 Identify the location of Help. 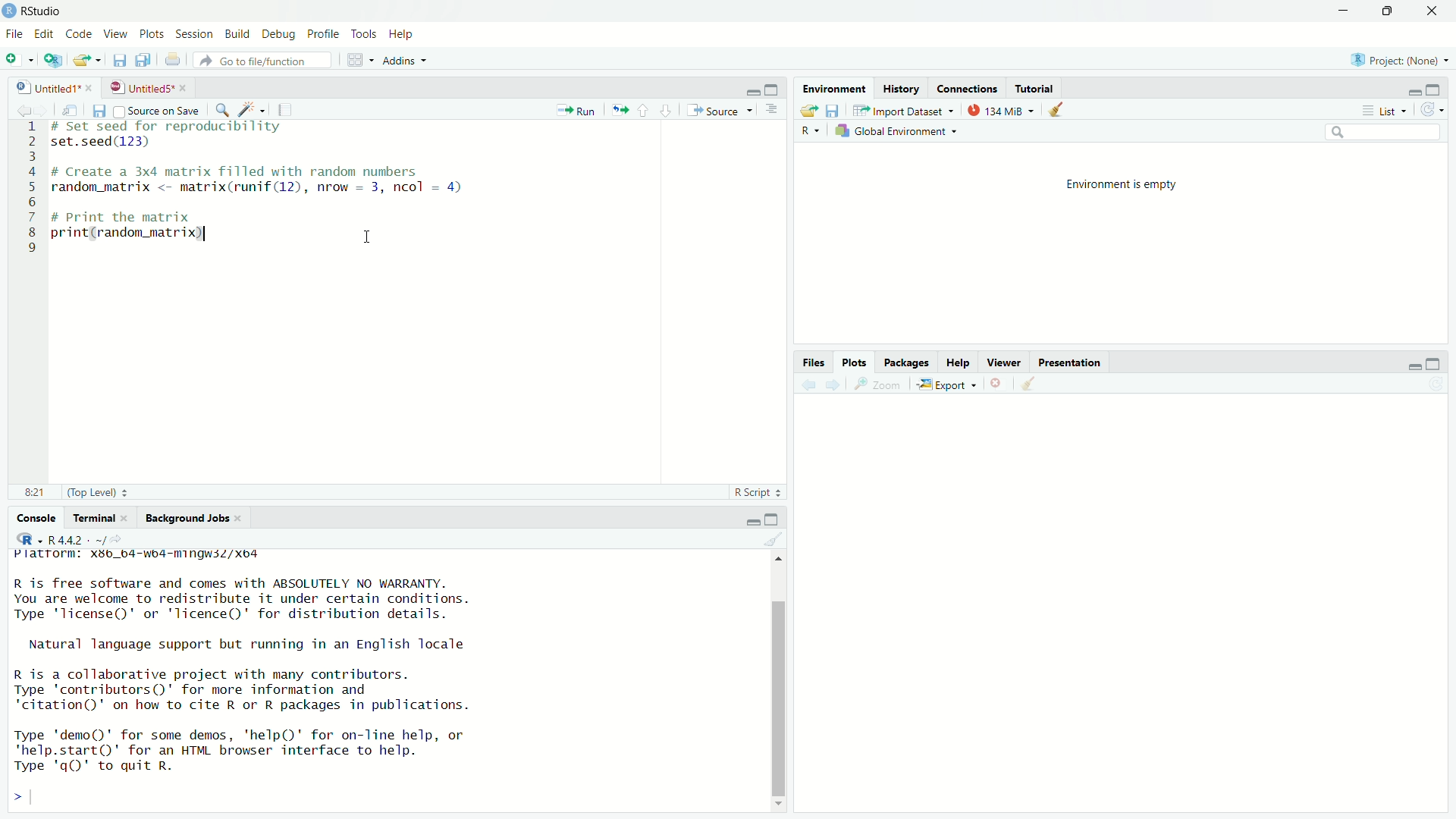
(960, 361).